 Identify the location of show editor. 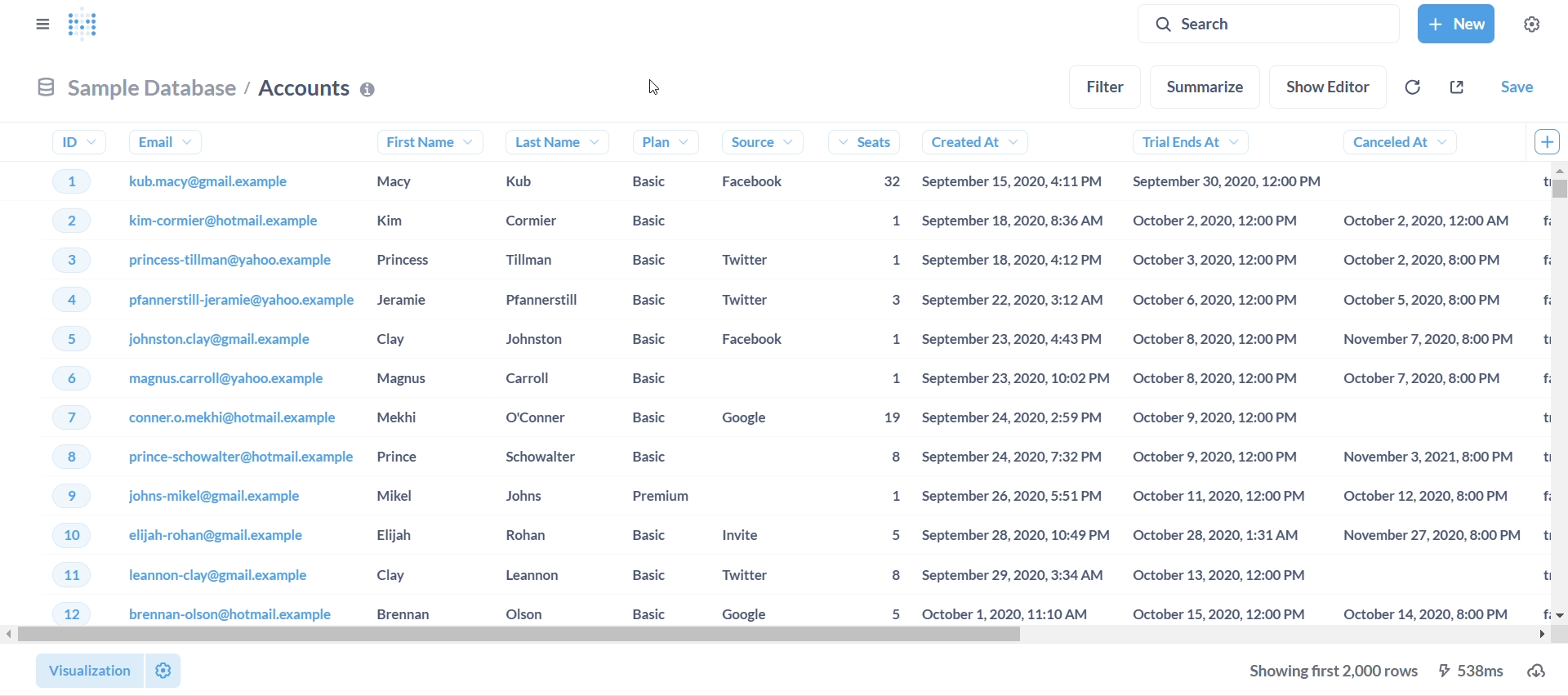
(1330, 87).